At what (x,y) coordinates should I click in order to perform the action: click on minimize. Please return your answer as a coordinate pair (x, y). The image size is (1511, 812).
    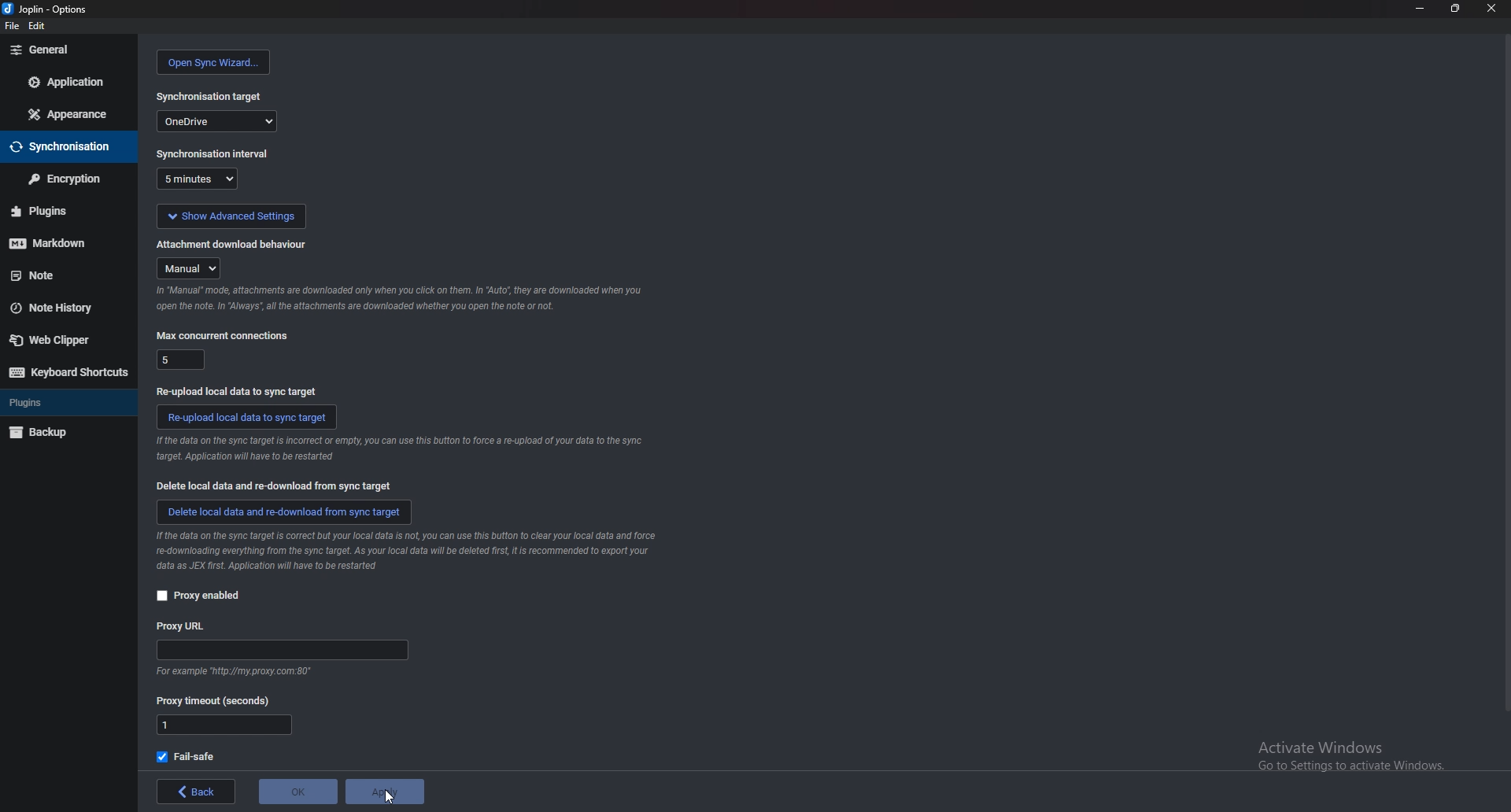
    Looking at the image, I should click on (1420, 7).